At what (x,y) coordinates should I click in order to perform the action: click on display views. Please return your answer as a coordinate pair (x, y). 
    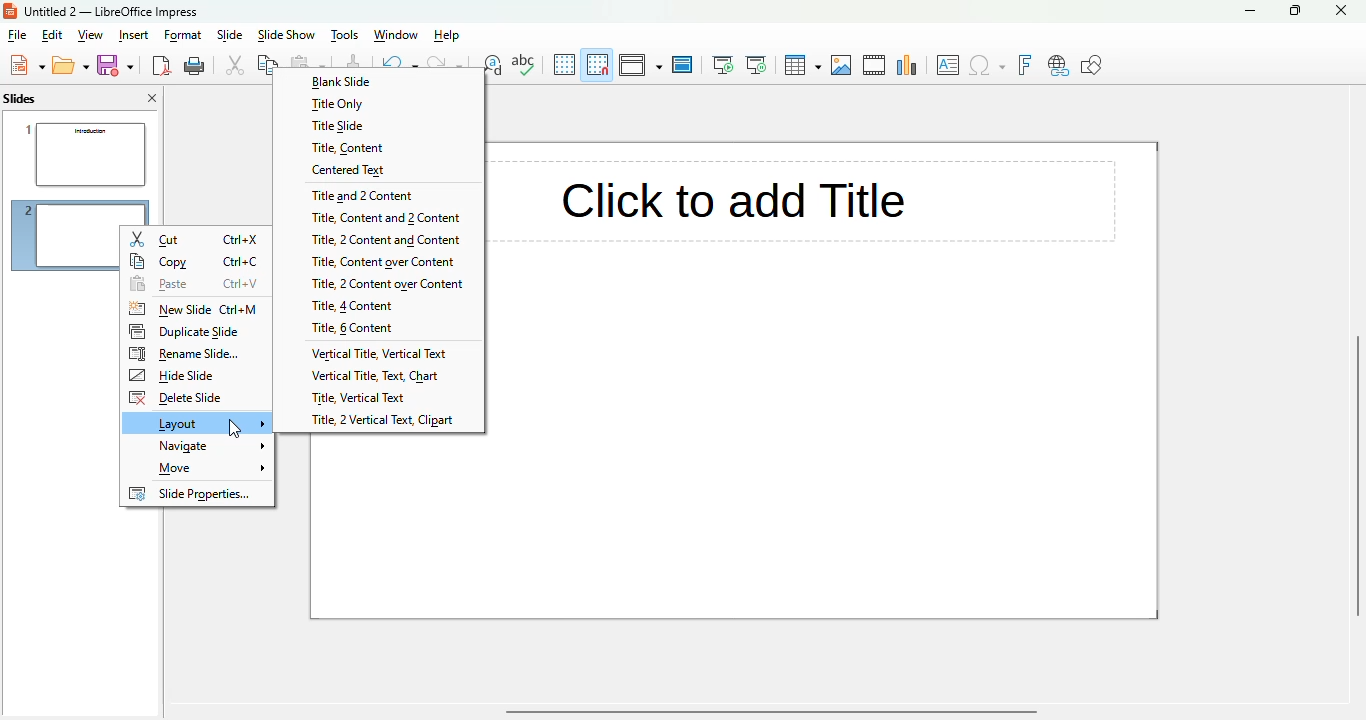
    Looking at the image, I should click on (641, 64).